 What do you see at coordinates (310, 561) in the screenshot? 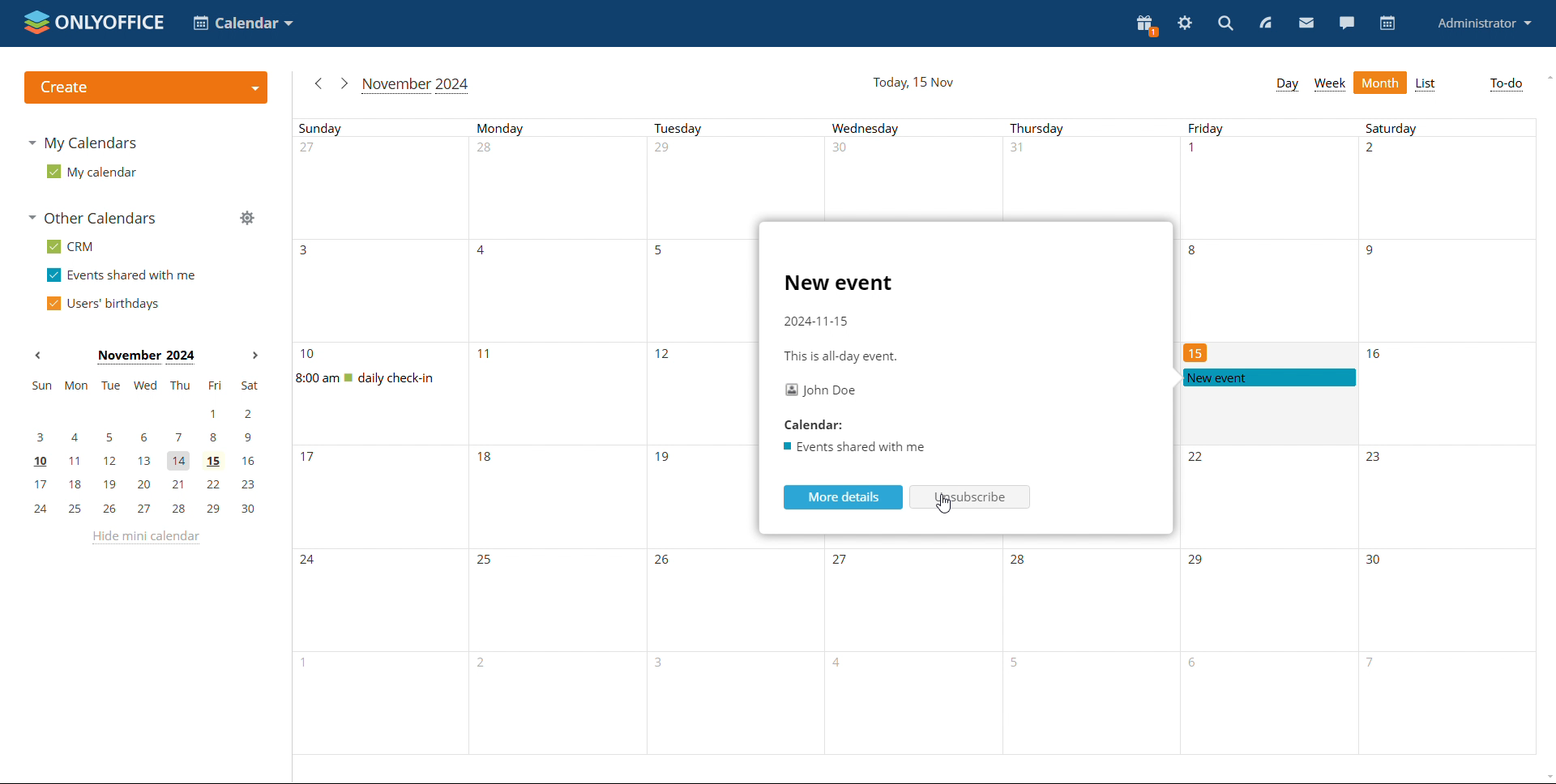
I see `` at bounding box center [310, 561].